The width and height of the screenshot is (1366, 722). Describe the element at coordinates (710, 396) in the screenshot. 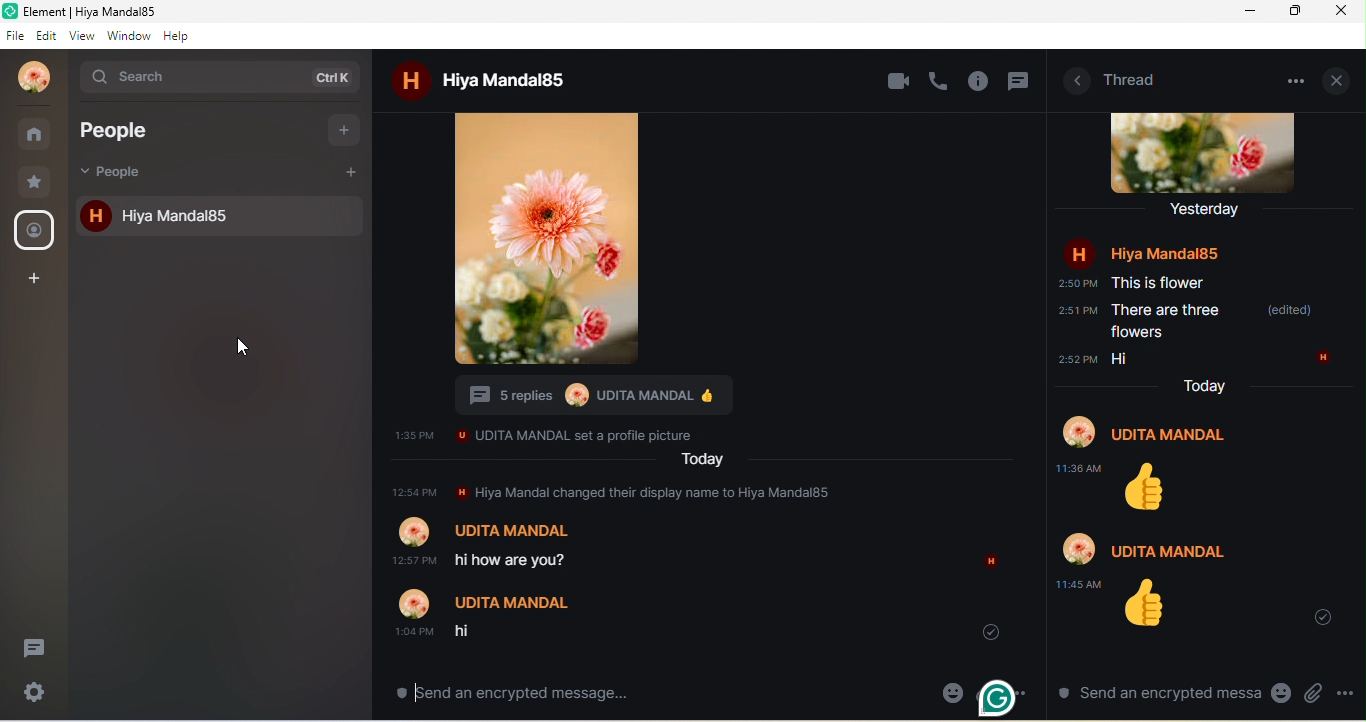

I see `Thumbs up emoji` at that location.